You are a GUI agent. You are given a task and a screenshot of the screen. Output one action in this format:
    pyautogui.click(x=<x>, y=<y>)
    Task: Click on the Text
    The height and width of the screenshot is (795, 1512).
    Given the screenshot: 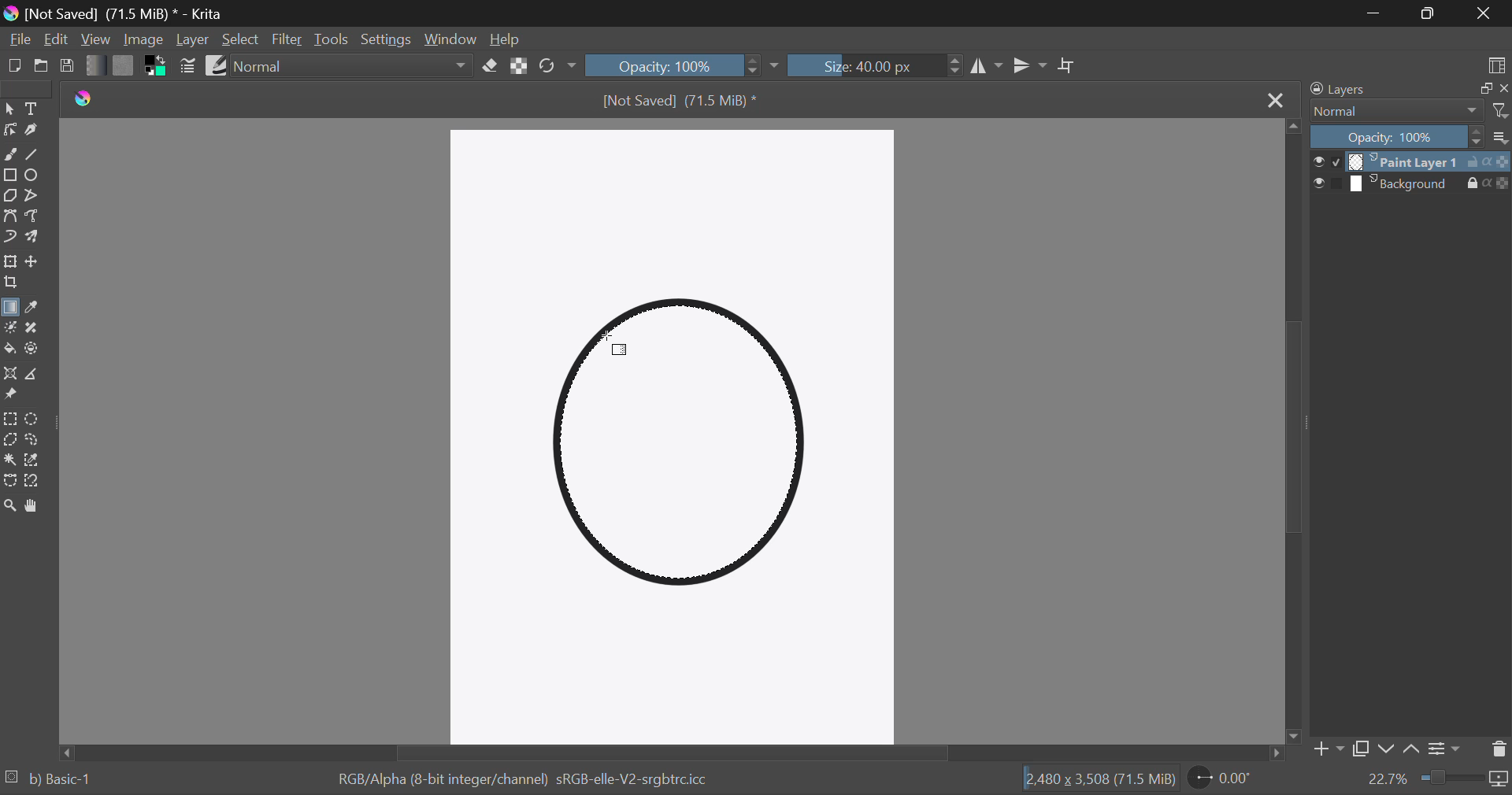 What is the action you would take?
    pyautogui.click(x=35, y=109)
    